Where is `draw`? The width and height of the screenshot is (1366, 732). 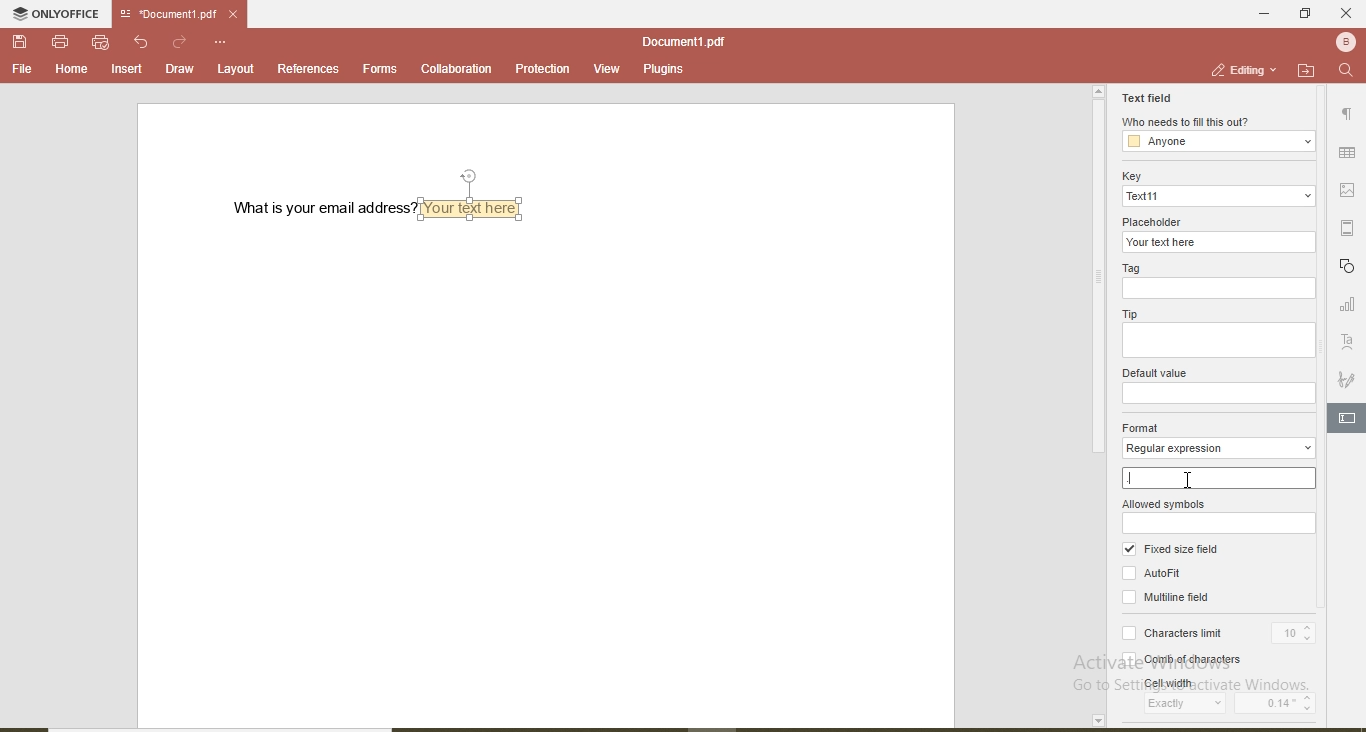
draw is located at coordinates (178, 68).